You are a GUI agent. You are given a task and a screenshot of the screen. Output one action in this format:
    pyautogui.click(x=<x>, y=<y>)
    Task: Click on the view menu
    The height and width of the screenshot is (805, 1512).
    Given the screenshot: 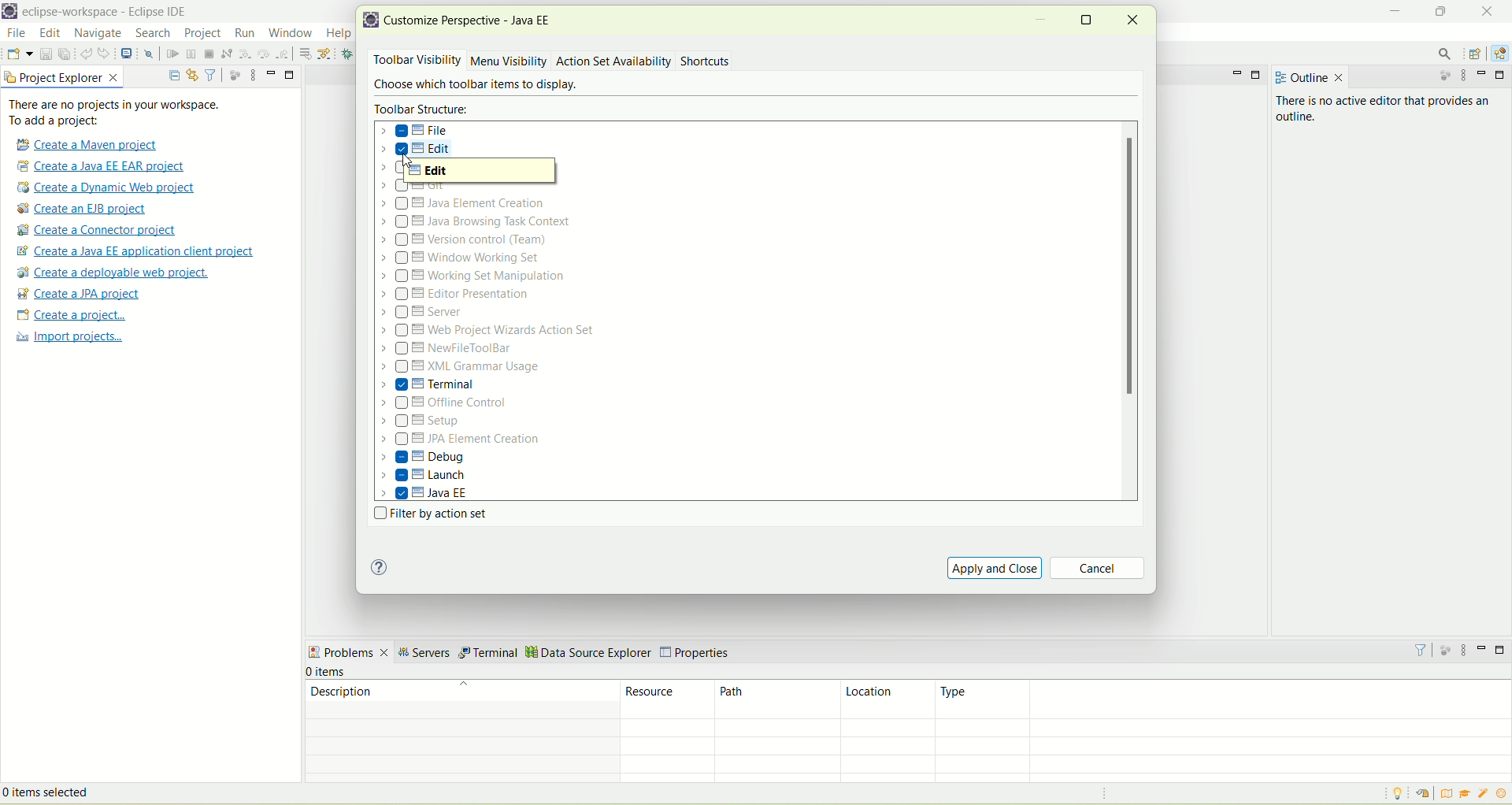 What is the action you would take?
    pyautogui.click(x=1467, y=77)
    